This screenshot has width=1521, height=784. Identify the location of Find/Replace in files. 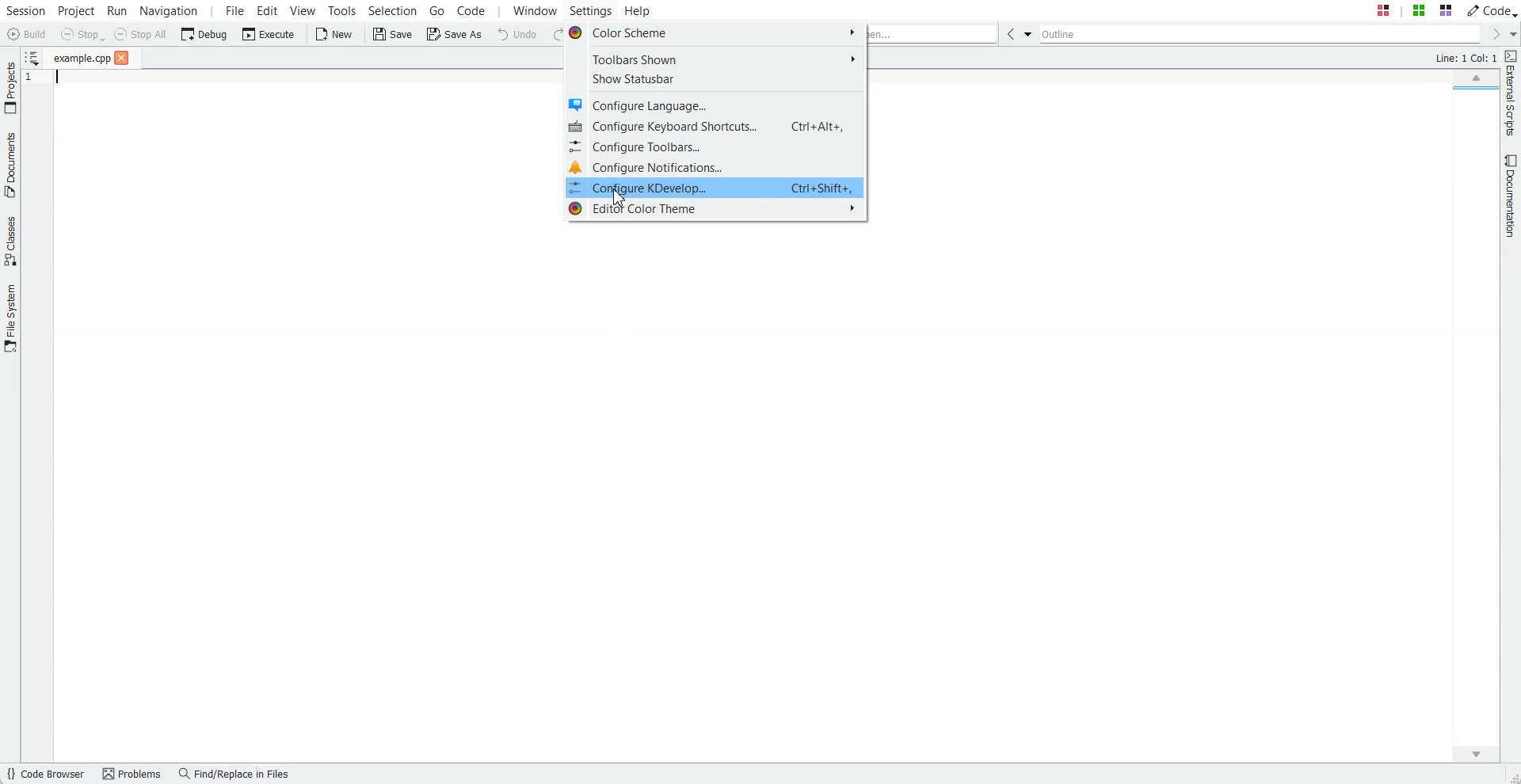
(238, 774).